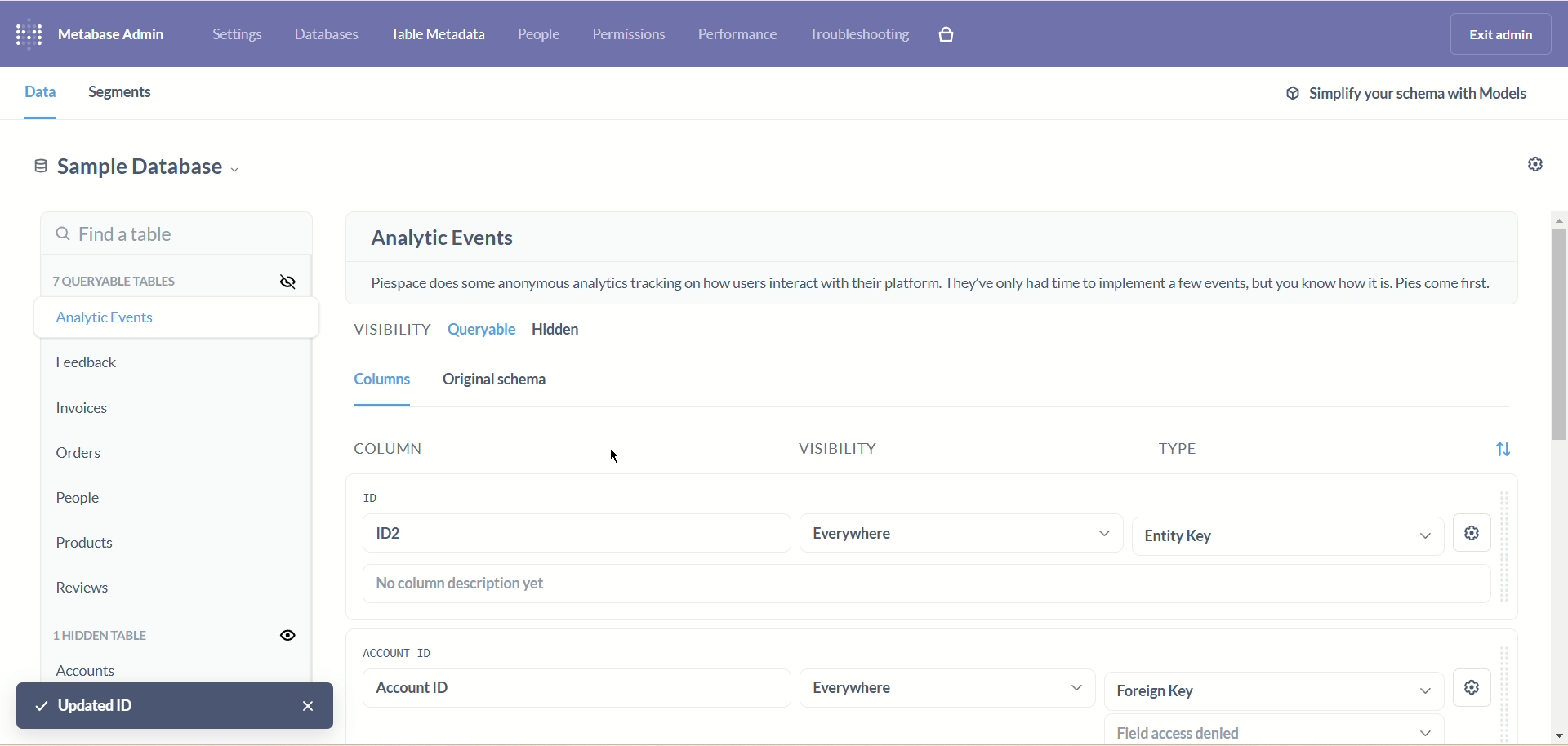 The width and height of the screenshot is (1568, 746). What do you see at coordinates (174, 705) in the screenshot?
I see `Updated ID` at bounding box center [174, 705].